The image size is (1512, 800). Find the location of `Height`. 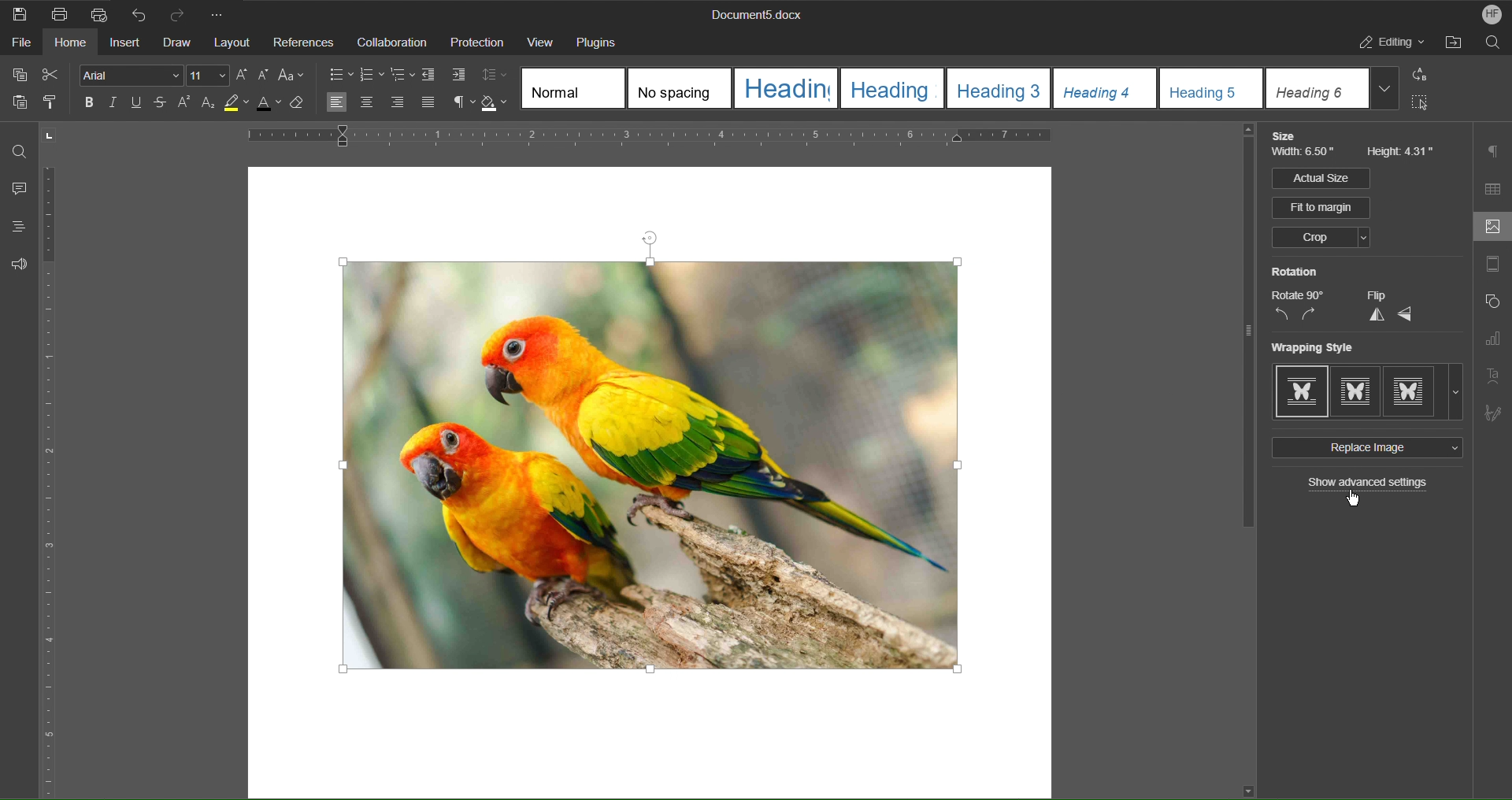

Height is located at coordinates (1402, 153).